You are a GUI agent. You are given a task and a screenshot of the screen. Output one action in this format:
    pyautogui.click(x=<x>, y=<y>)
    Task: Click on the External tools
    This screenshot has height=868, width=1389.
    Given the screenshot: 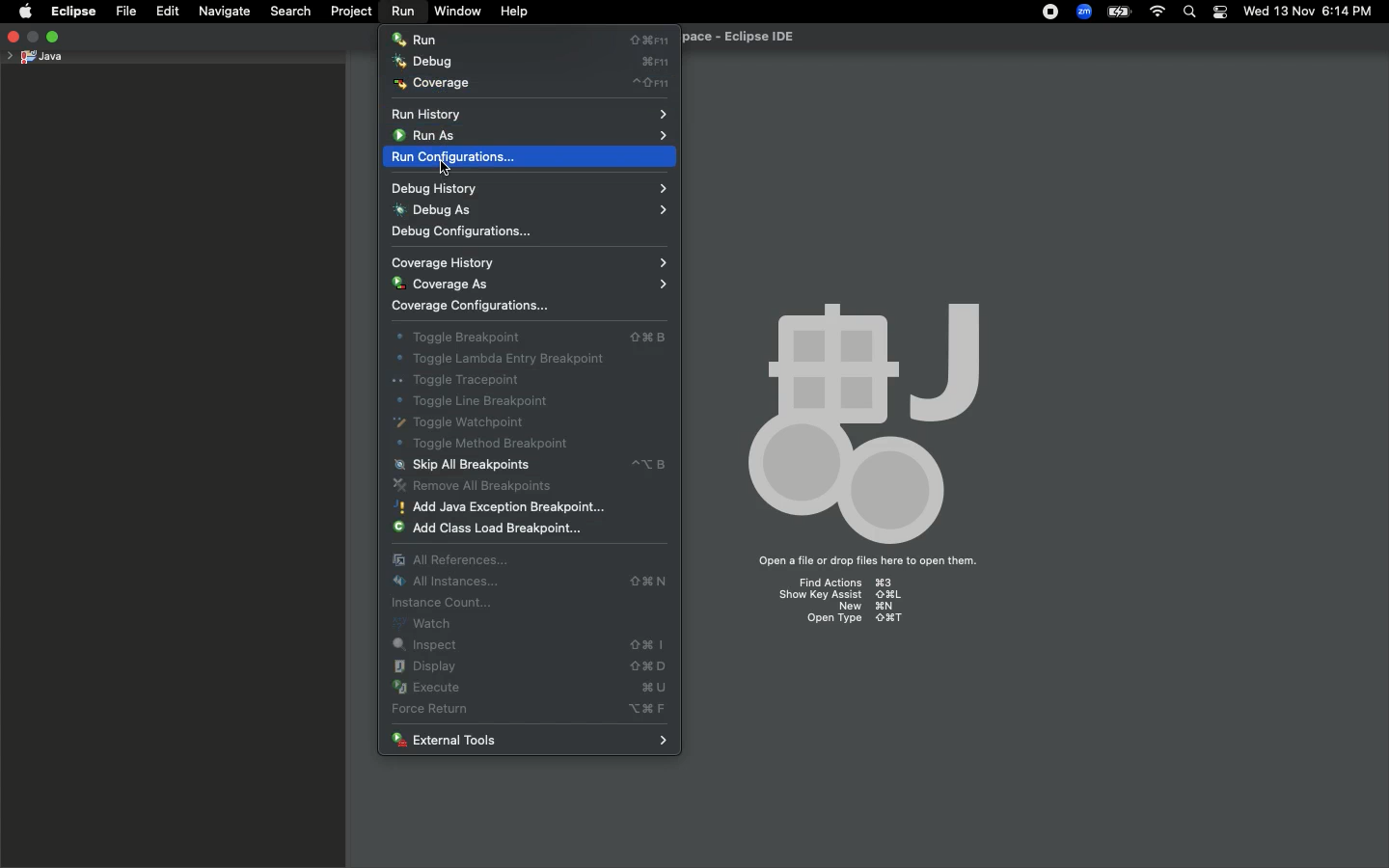 What is the action you would take?
    pyautogui.click(x=531, y=740)
    